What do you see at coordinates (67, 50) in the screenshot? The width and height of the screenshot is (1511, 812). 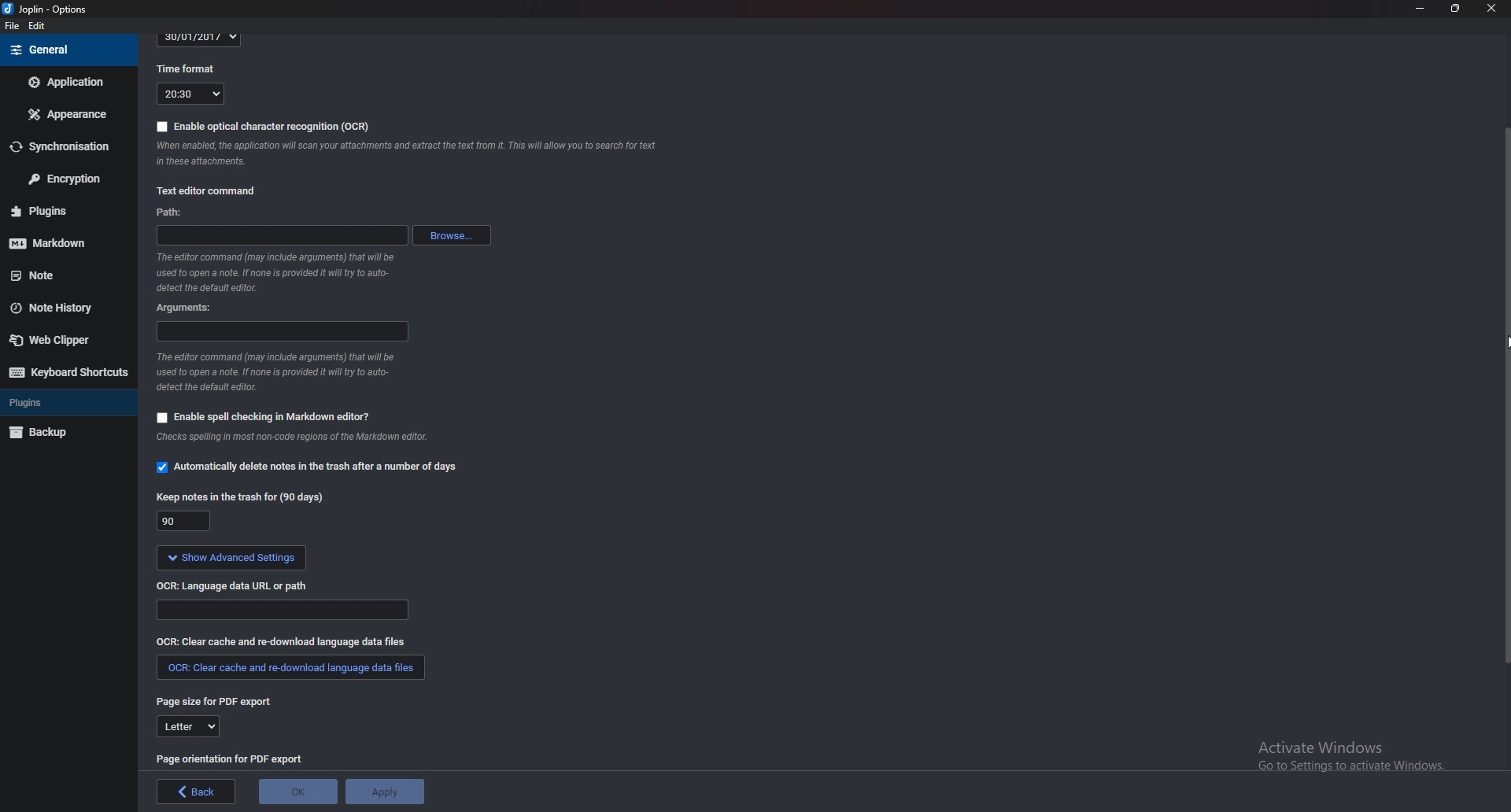 I see `general` at bounding box center [67, 50].